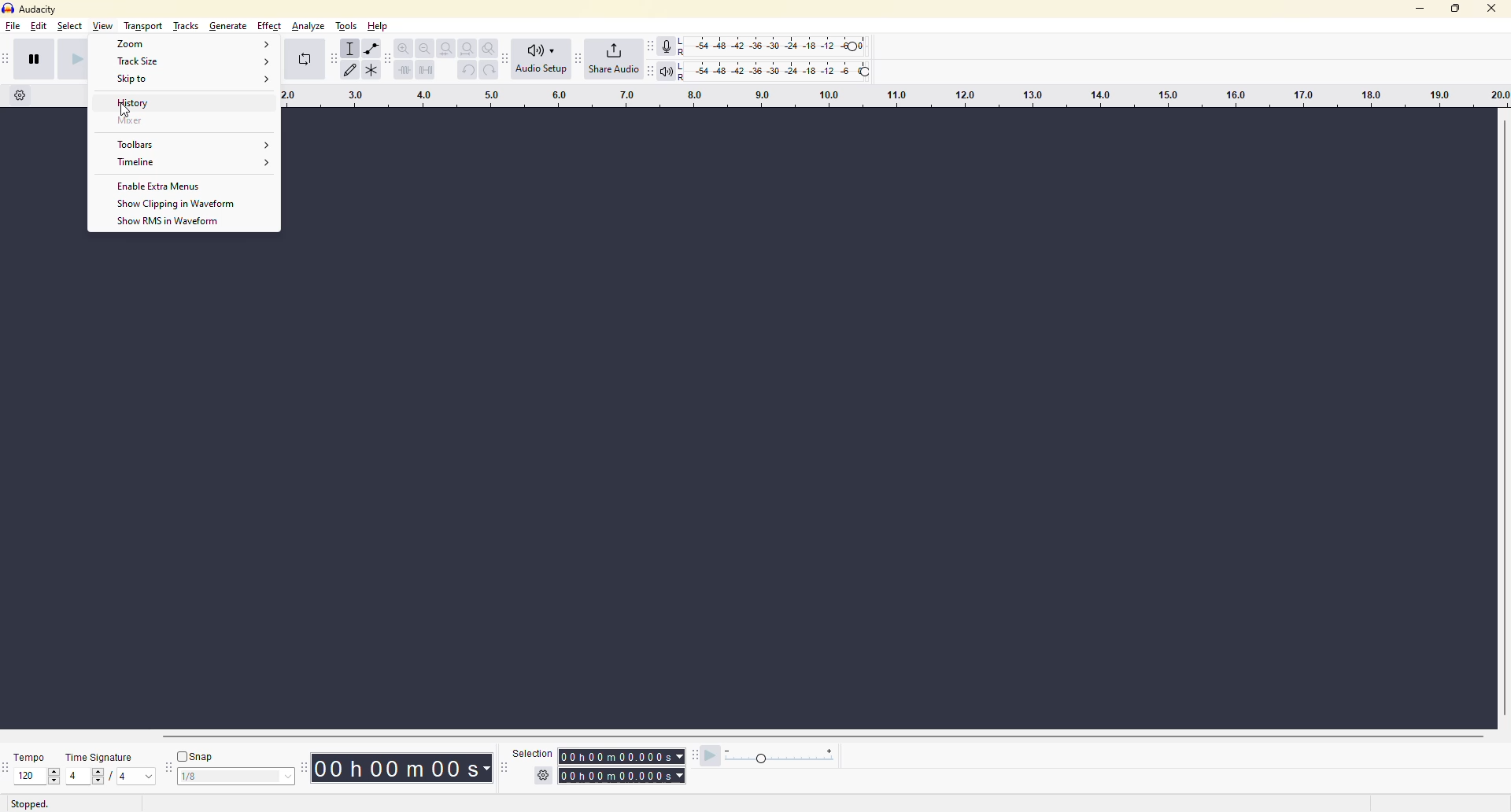  What do you see at coordinates (427, 70) in the screenshot?
I see `silence audio selection` at bounding box center [427, 70].